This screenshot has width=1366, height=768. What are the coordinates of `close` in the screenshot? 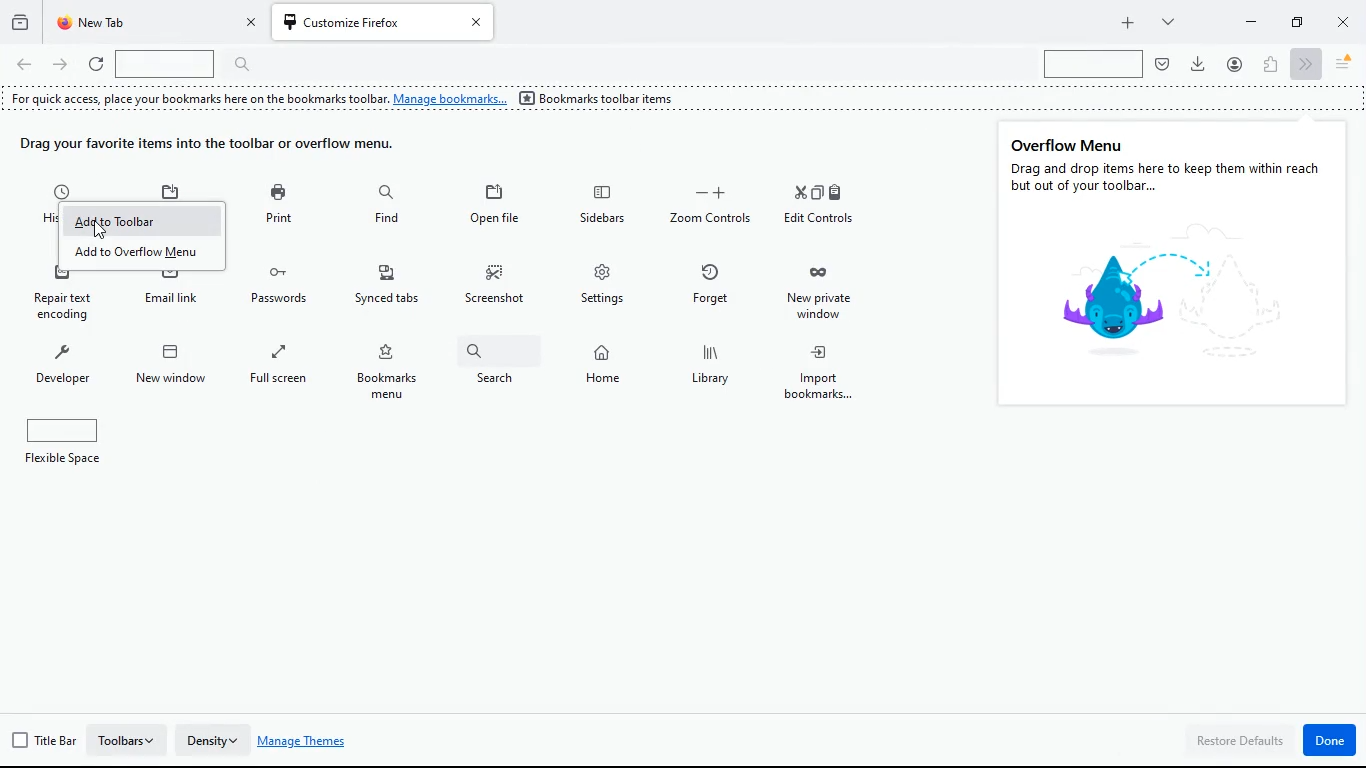 It's located at (1345, 25).